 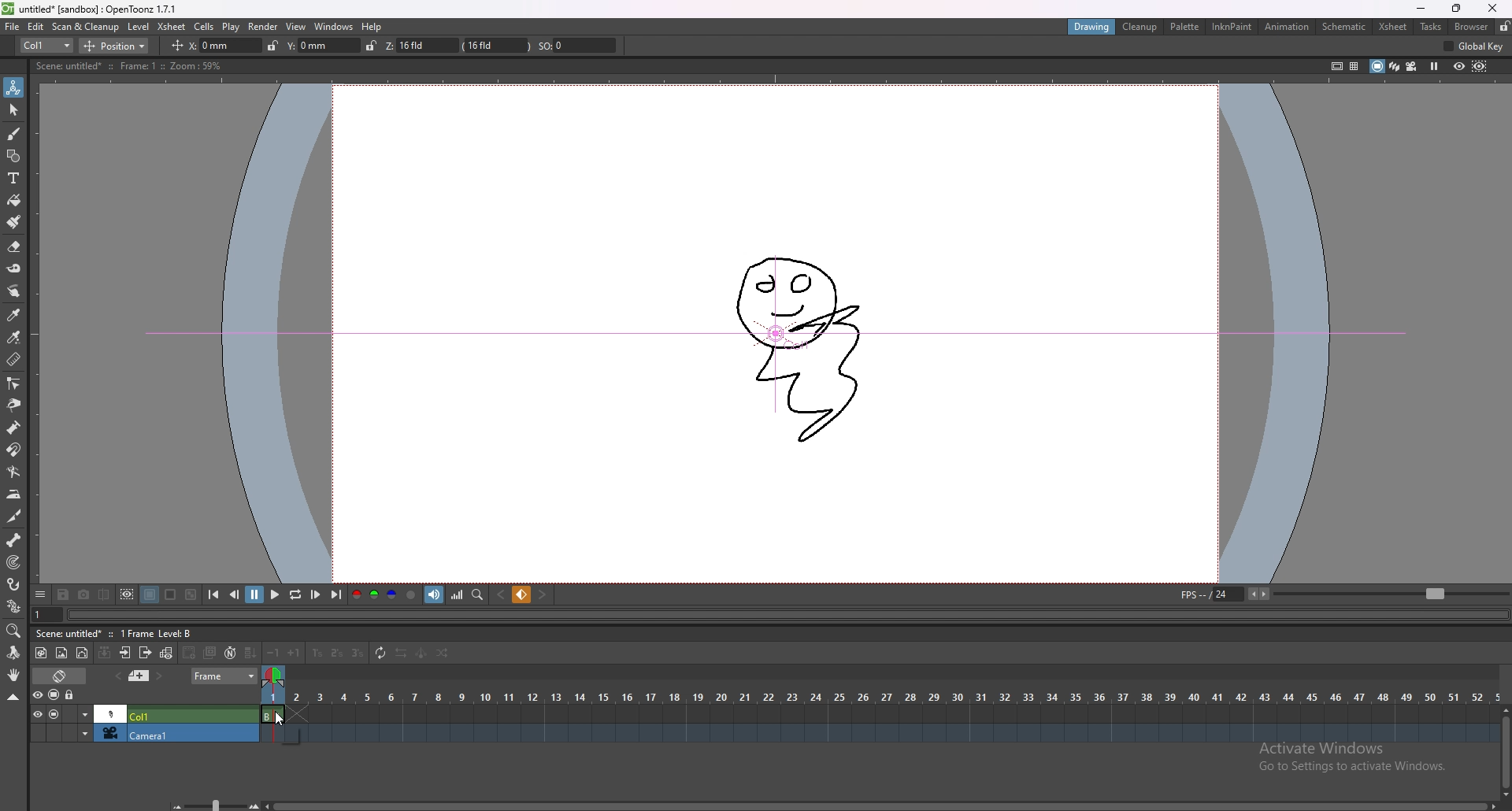 I want to click on preview, so click(x=1459, y=65).